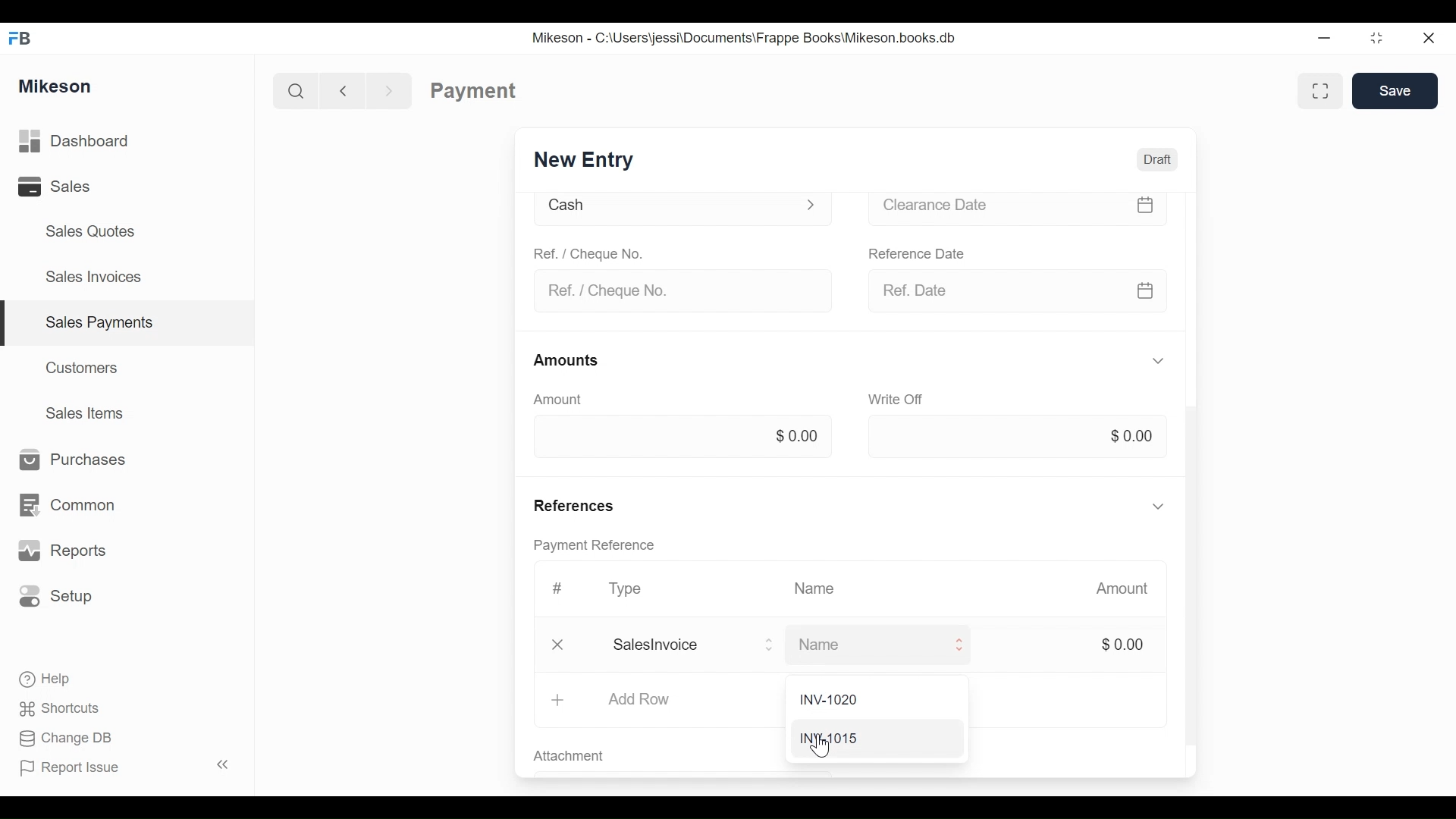  Describe the element at coordinates (557, 590) in the screenshot. I see `Hashtag` at that location.